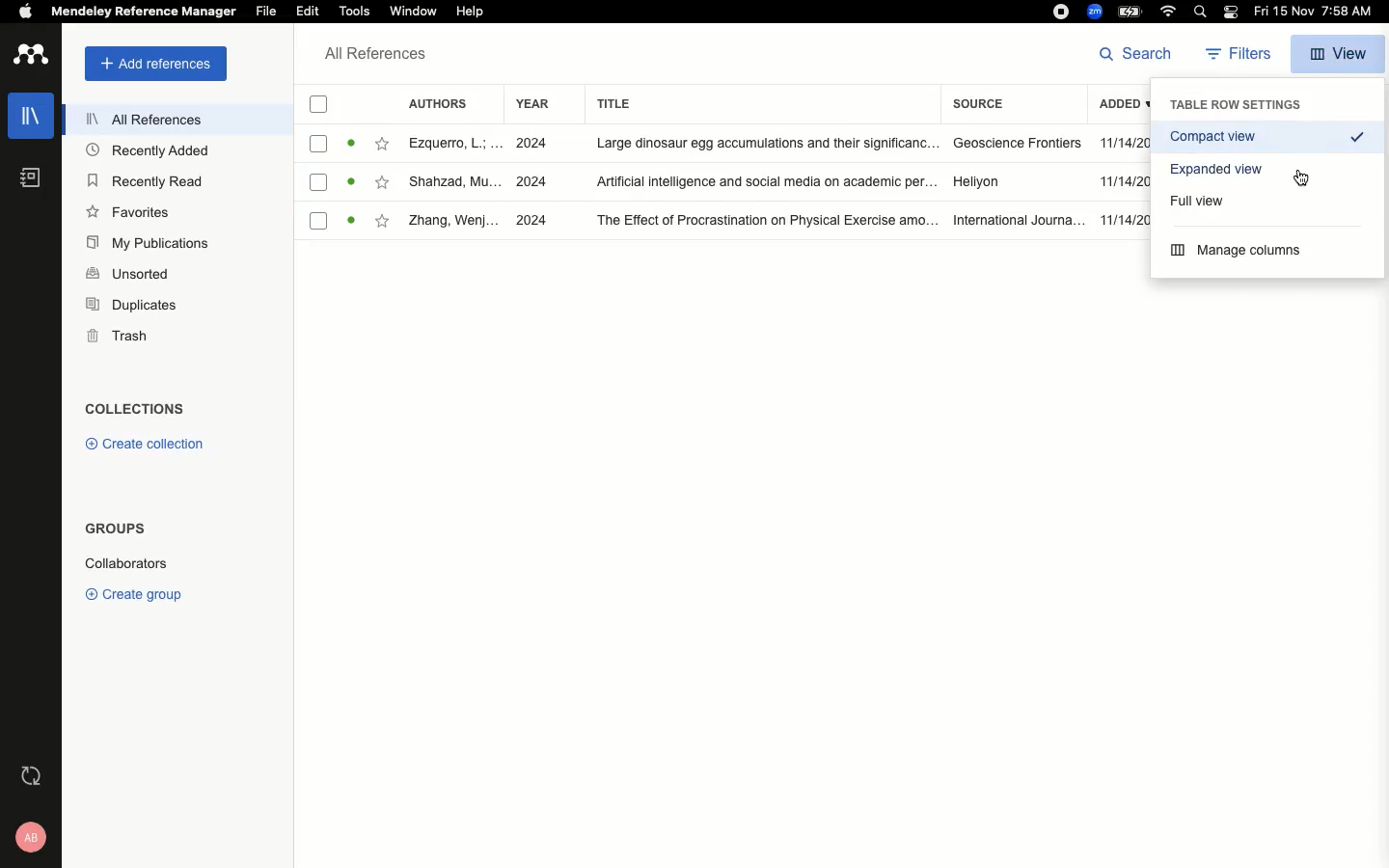 This screenshot has height=868, width=1389. I want to click on 11/14/2024, so click(1121, 219).